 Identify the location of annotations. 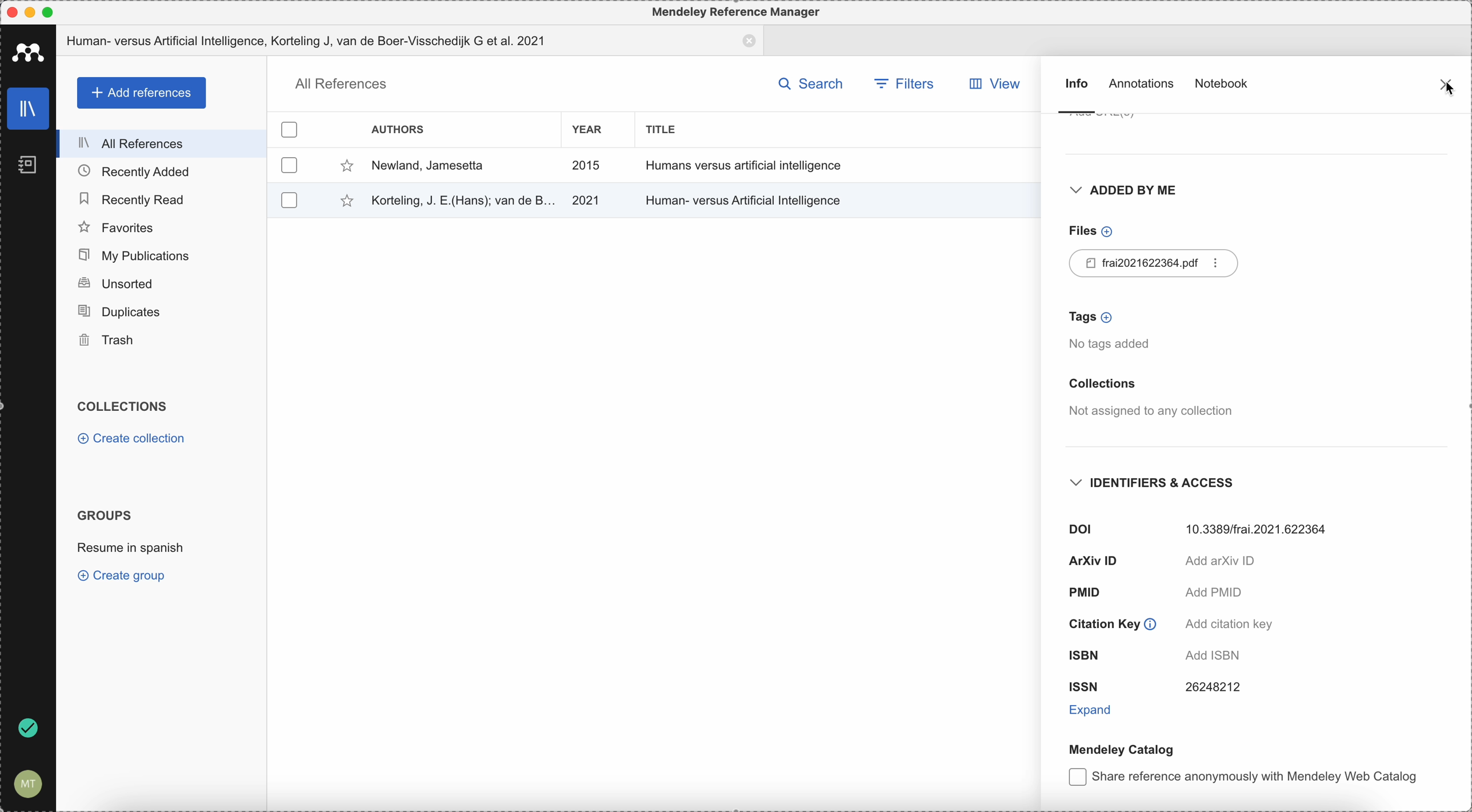
(1143, 86).